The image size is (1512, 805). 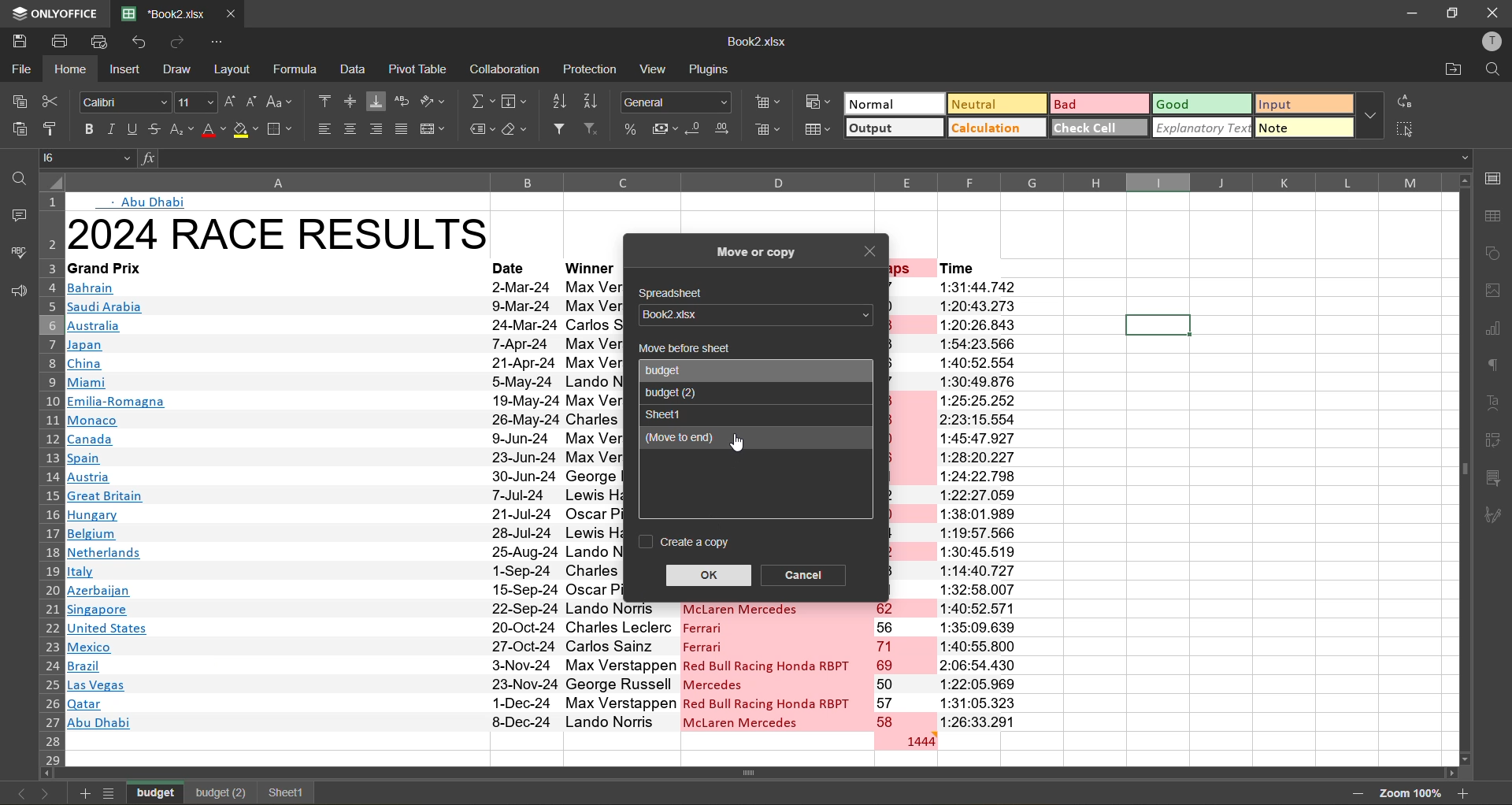 What do you see at coordinates (350, 129) in the screenshot?
I see `align center` at bounding box center [350, 129].